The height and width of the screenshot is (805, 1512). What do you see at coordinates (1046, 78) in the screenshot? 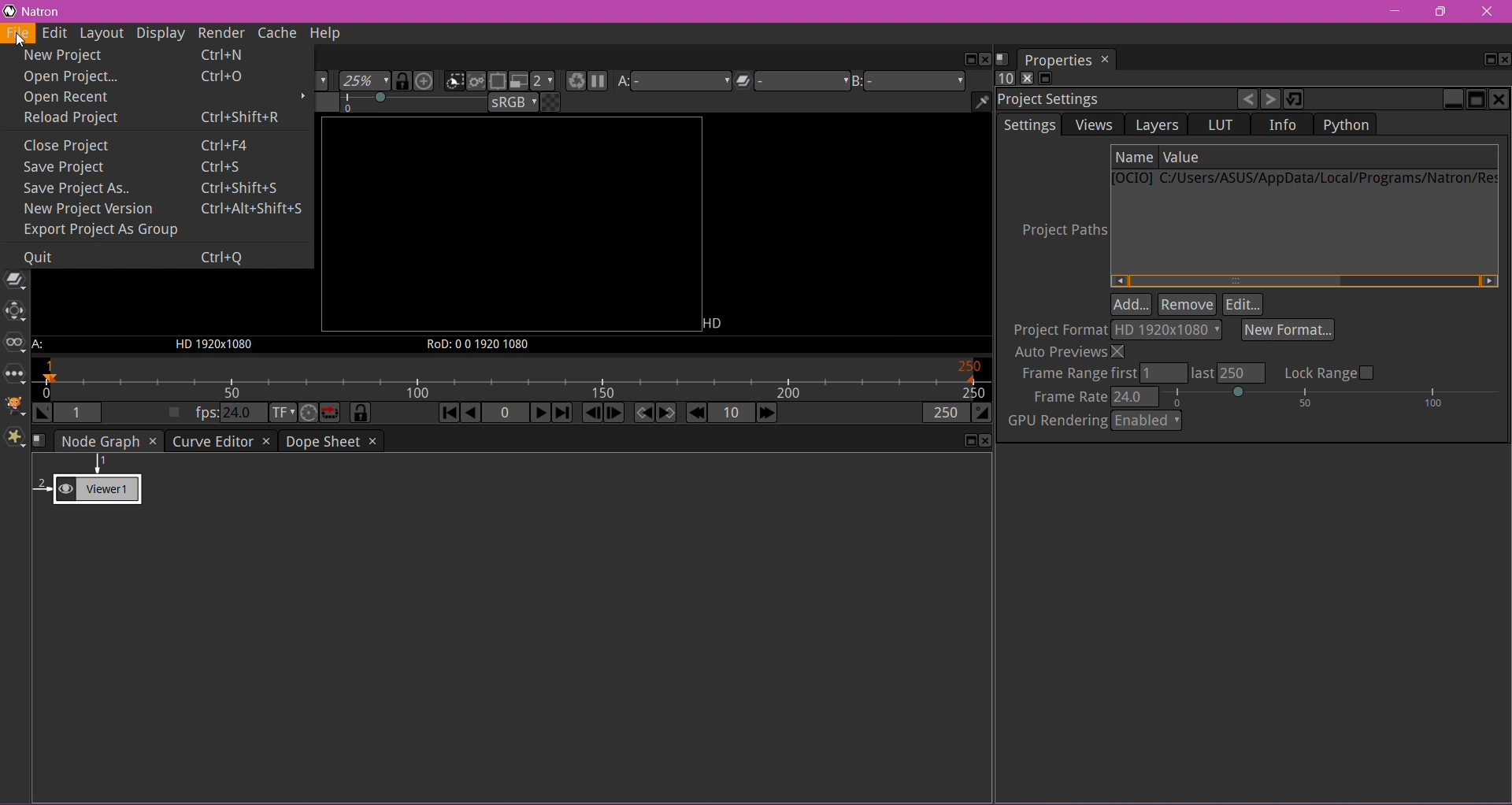
I see `Minimize/Maximize all panels` at bounding box center [1046, 78].